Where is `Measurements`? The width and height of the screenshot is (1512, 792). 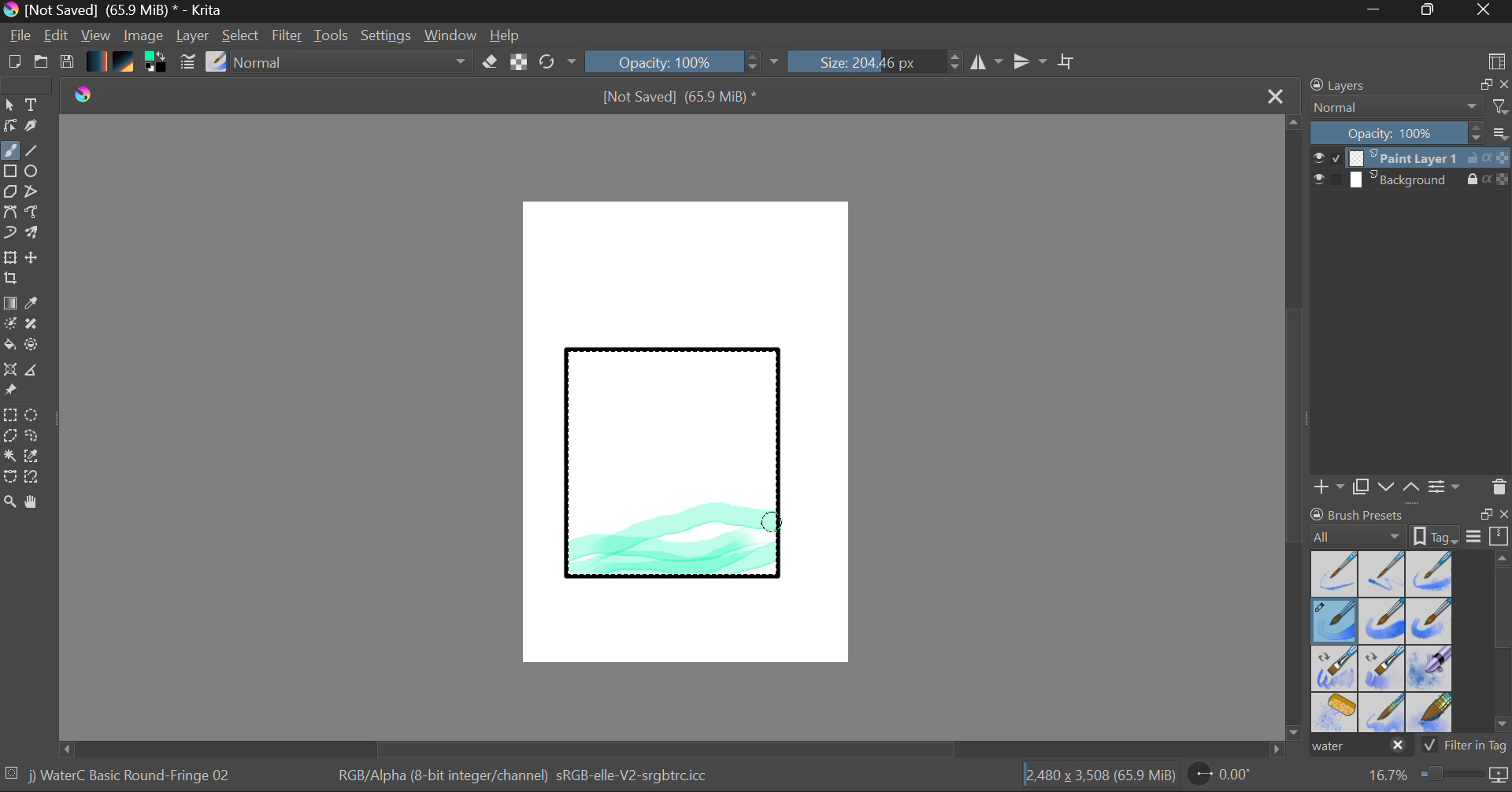
Measurements is located at coordinates (34, 372).